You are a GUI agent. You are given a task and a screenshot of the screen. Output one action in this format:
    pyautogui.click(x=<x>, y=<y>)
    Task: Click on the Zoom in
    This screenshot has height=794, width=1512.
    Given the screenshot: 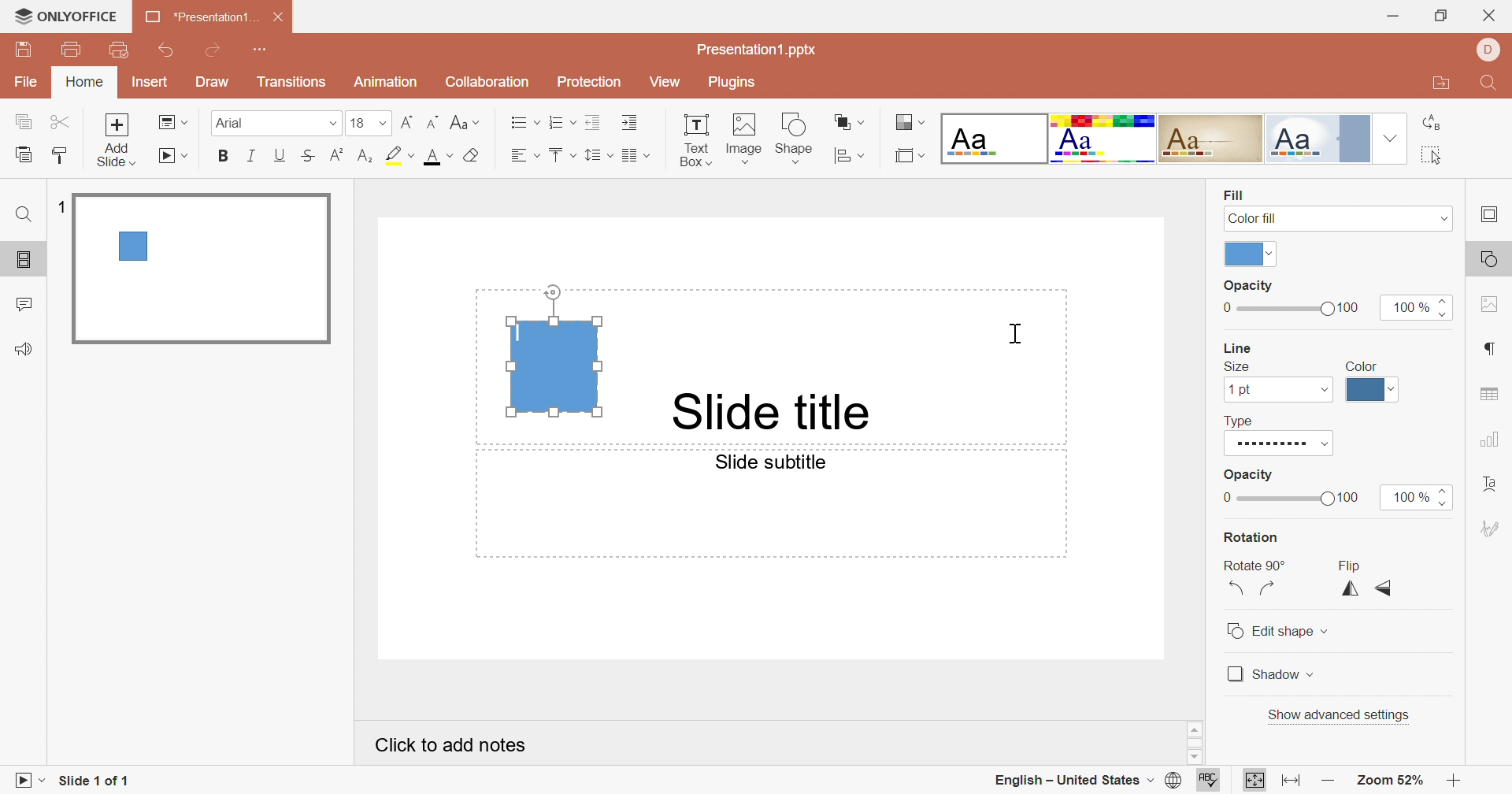 What is the action you would take?
    pyautogui.click(x=1453, y=779)
    